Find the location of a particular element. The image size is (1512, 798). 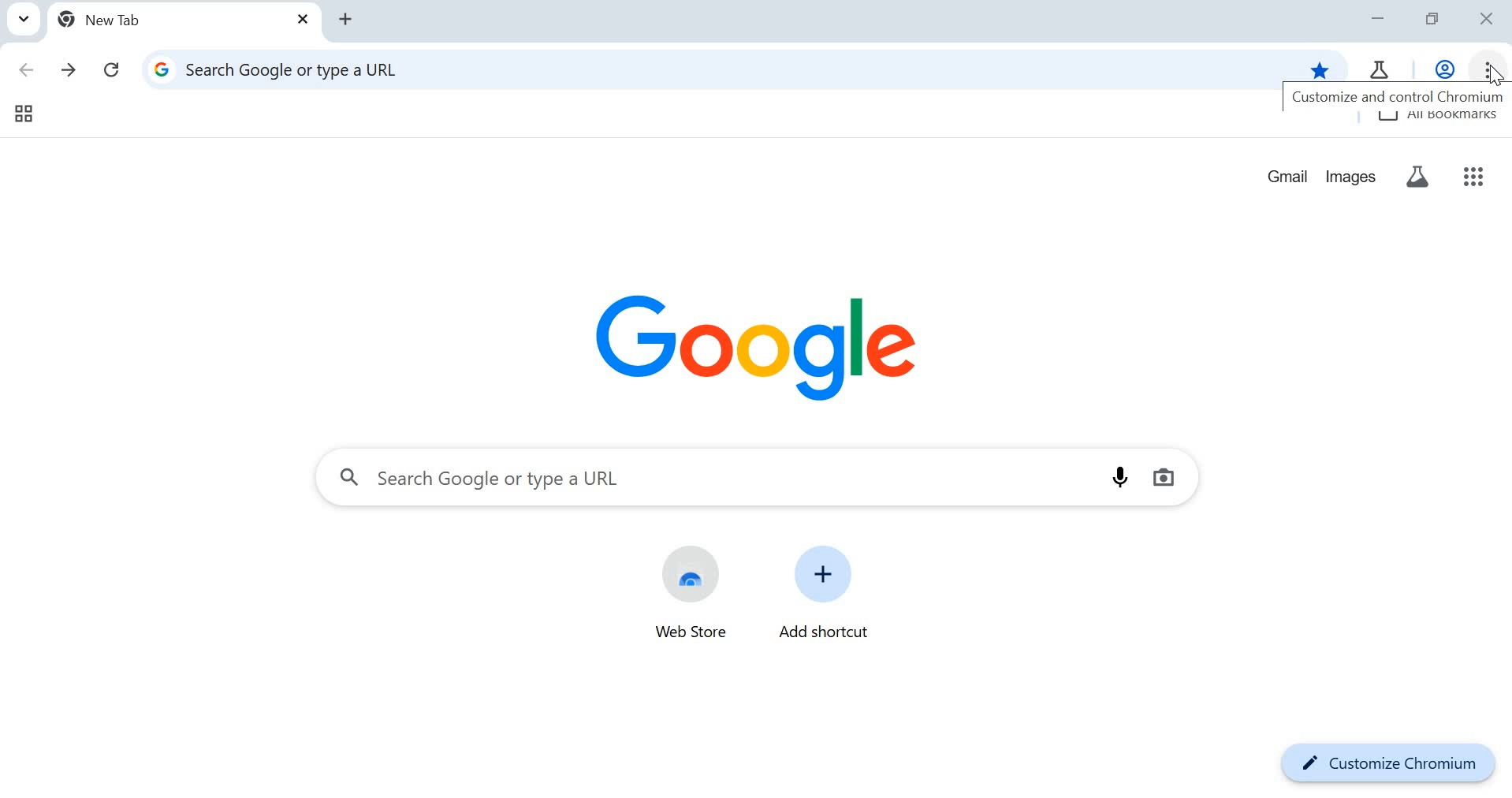

close is located at coordinates (1487, 22).